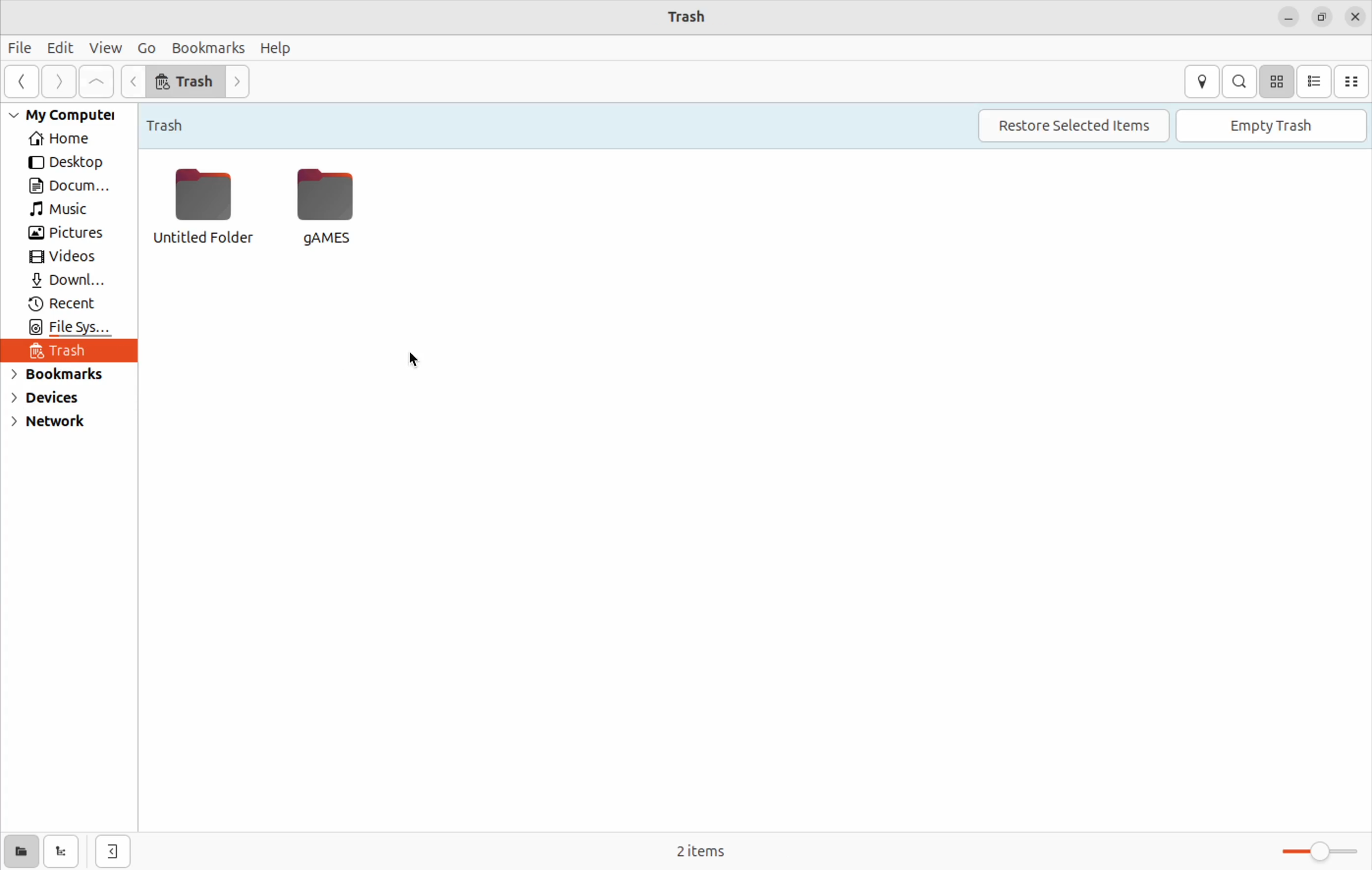  What do you see at coordinates (1354, 82) in the screenshot?
I see `compact view` at bounding box center [1354, 82].